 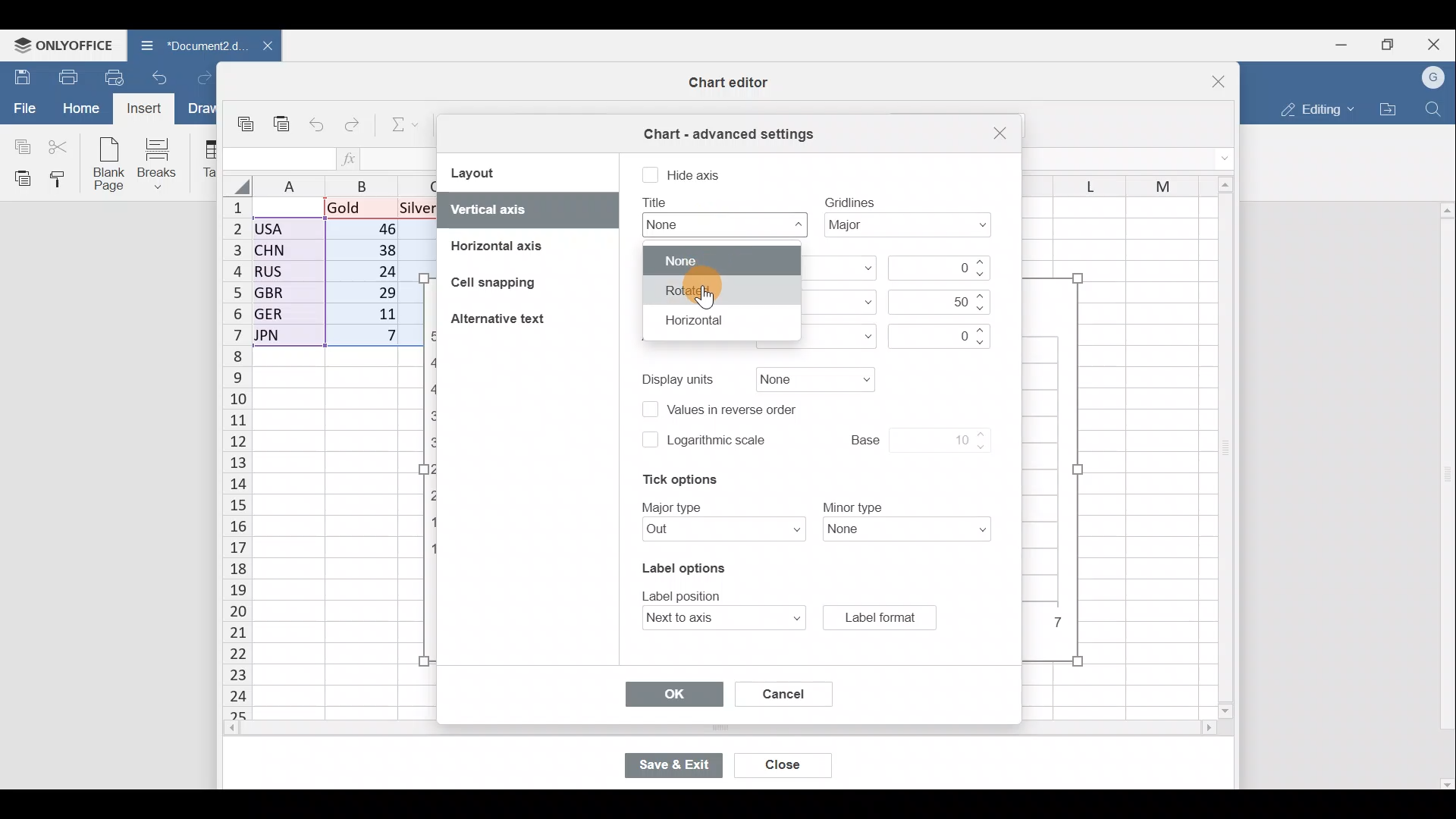 I want to click on Paste, so click(x=282, y=117).